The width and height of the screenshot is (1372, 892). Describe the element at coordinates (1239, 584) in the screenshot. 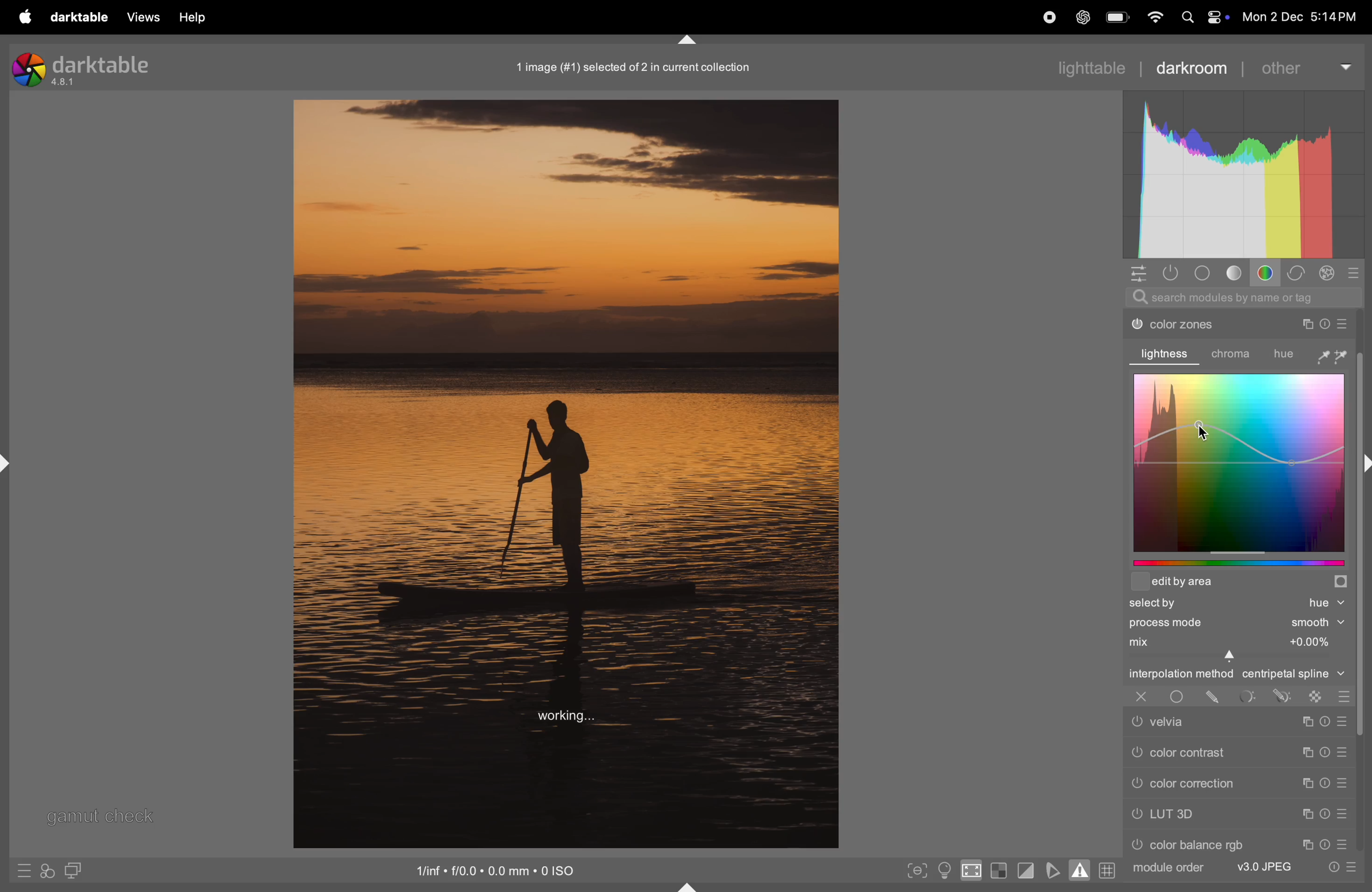

I see `edit area` at that location.